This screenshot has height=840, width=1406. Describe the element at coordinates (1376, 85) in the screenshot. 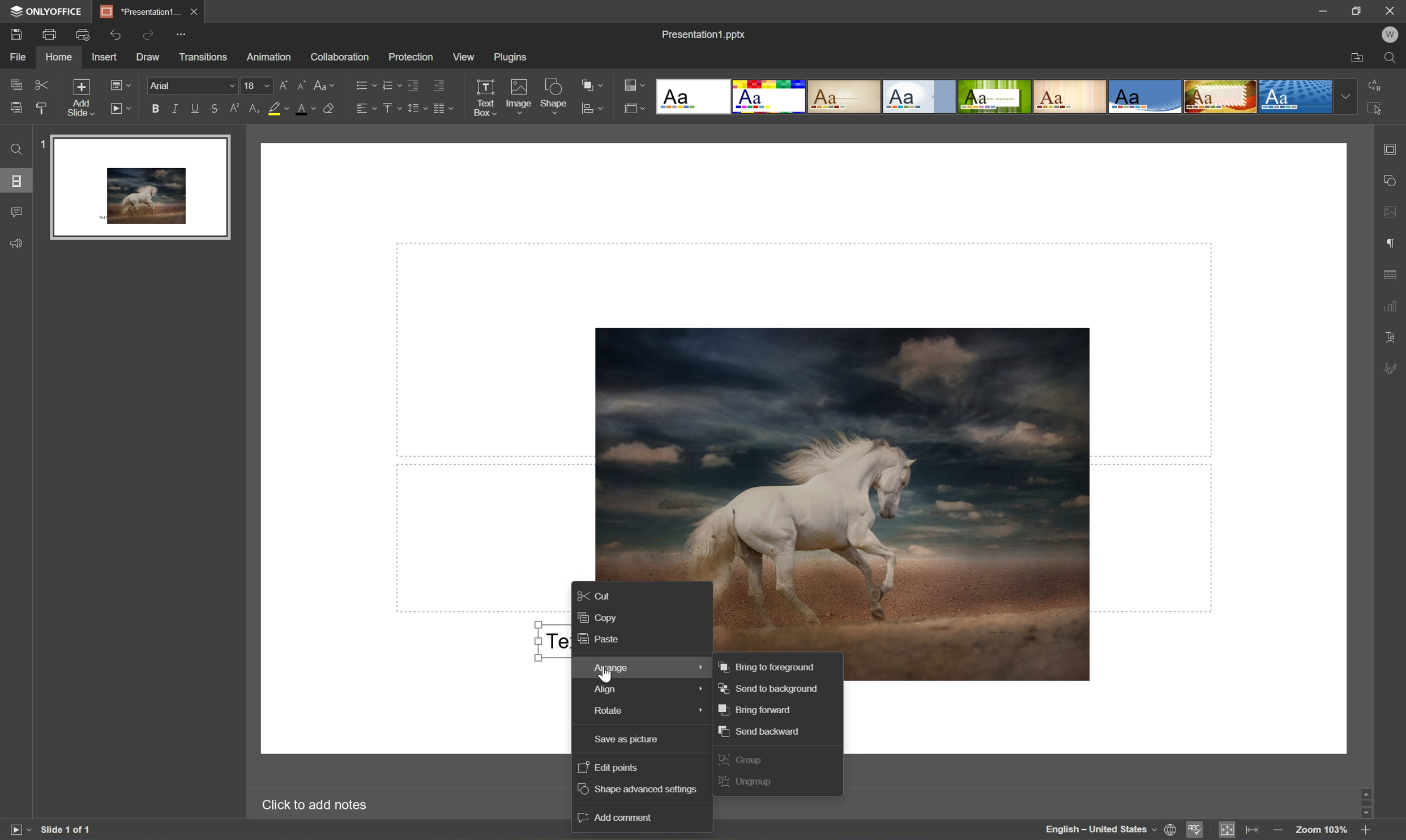

I see `Replace` at that location.